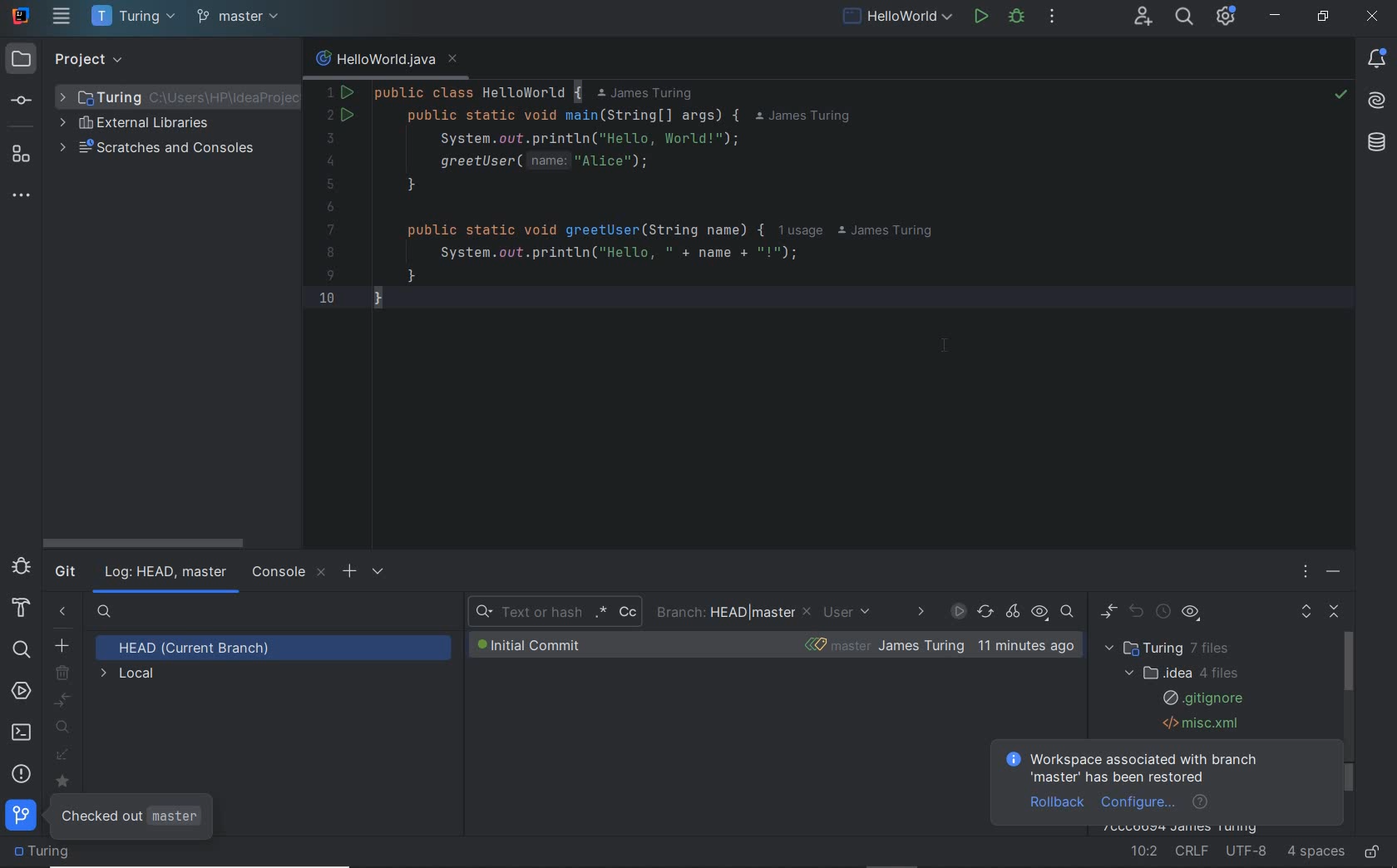  I want to click on delete branch, so click(64, 673).